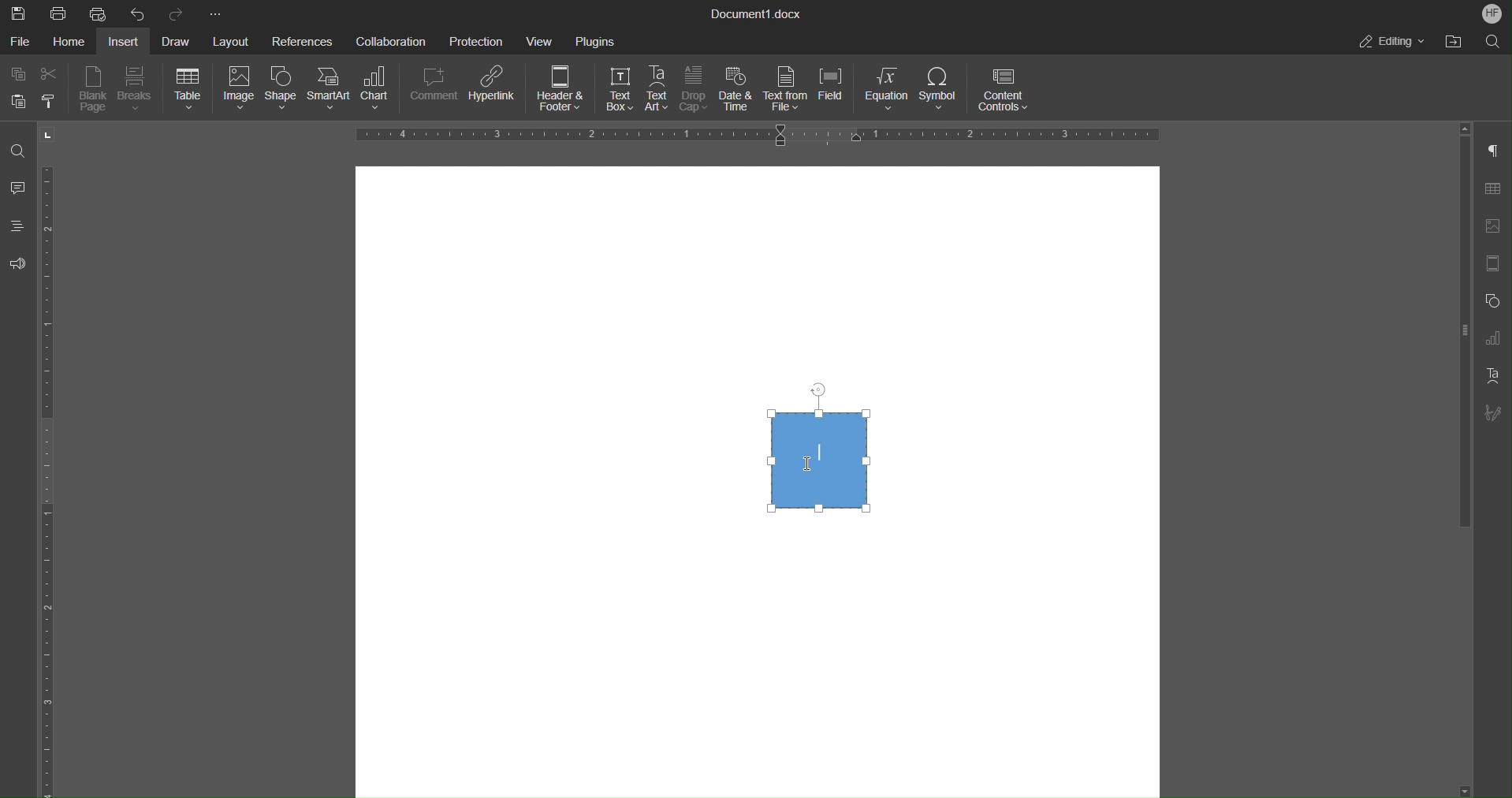  I want to click on Image, so click(236, 91).